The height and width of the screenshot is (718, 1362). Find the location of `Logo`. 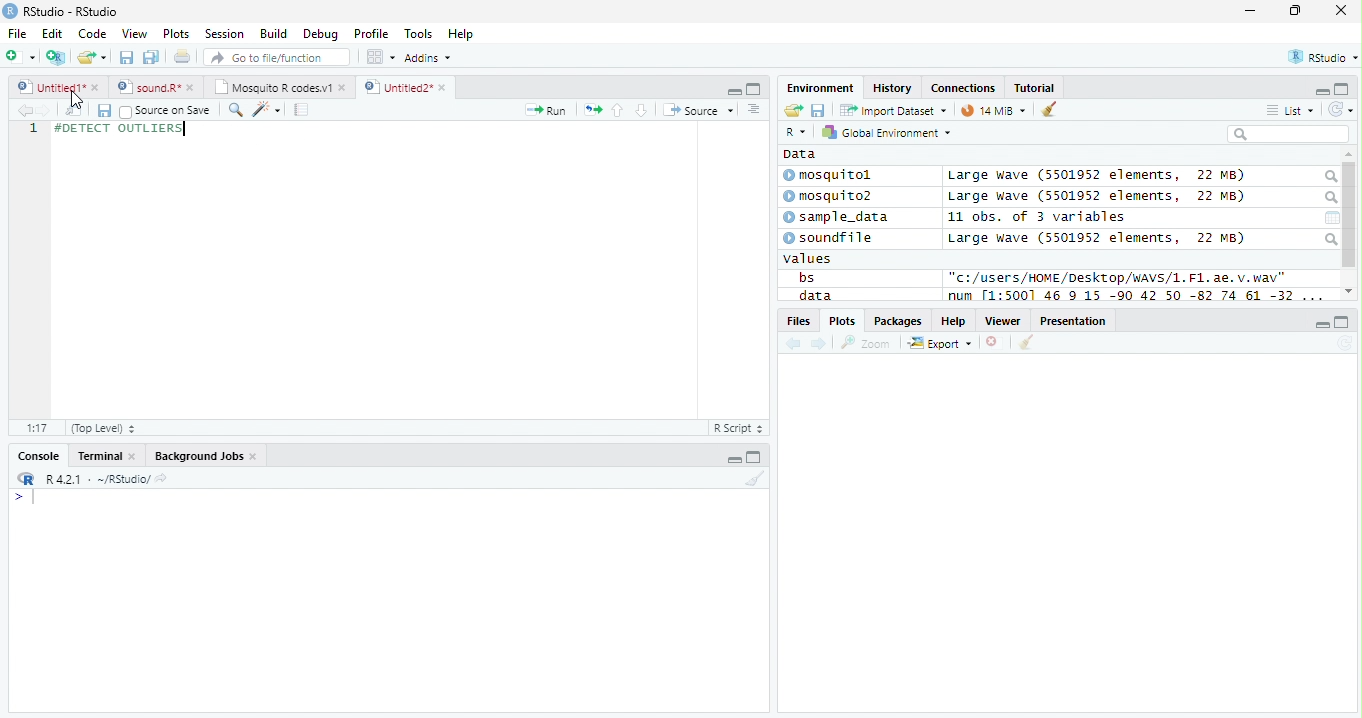

Logo is located at coordinates (11, 11).